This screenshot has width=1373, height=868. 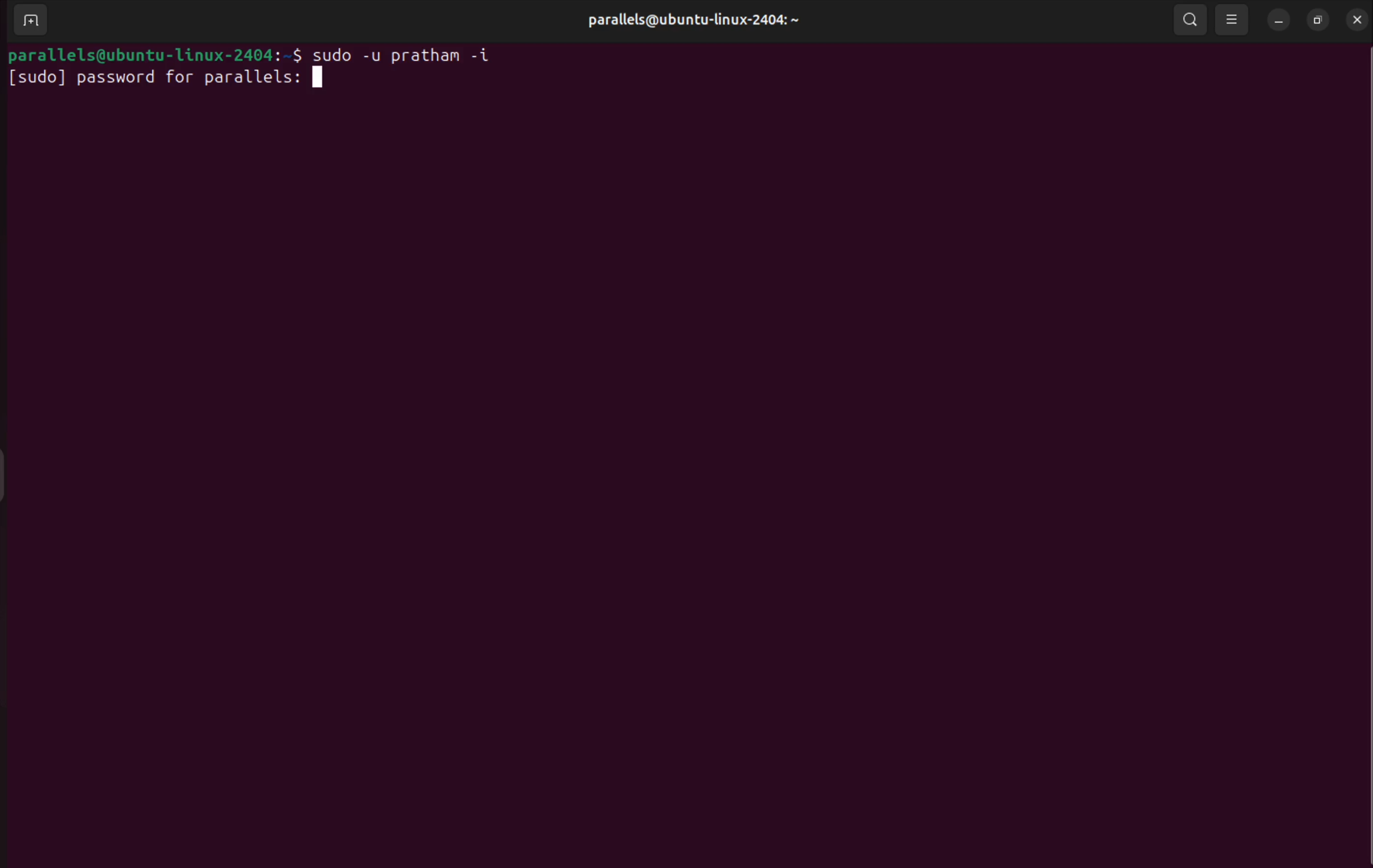 What do you see at coordinates (1189, 21) in the screenshot?
I see `search` at bounding box center [1189, 21].